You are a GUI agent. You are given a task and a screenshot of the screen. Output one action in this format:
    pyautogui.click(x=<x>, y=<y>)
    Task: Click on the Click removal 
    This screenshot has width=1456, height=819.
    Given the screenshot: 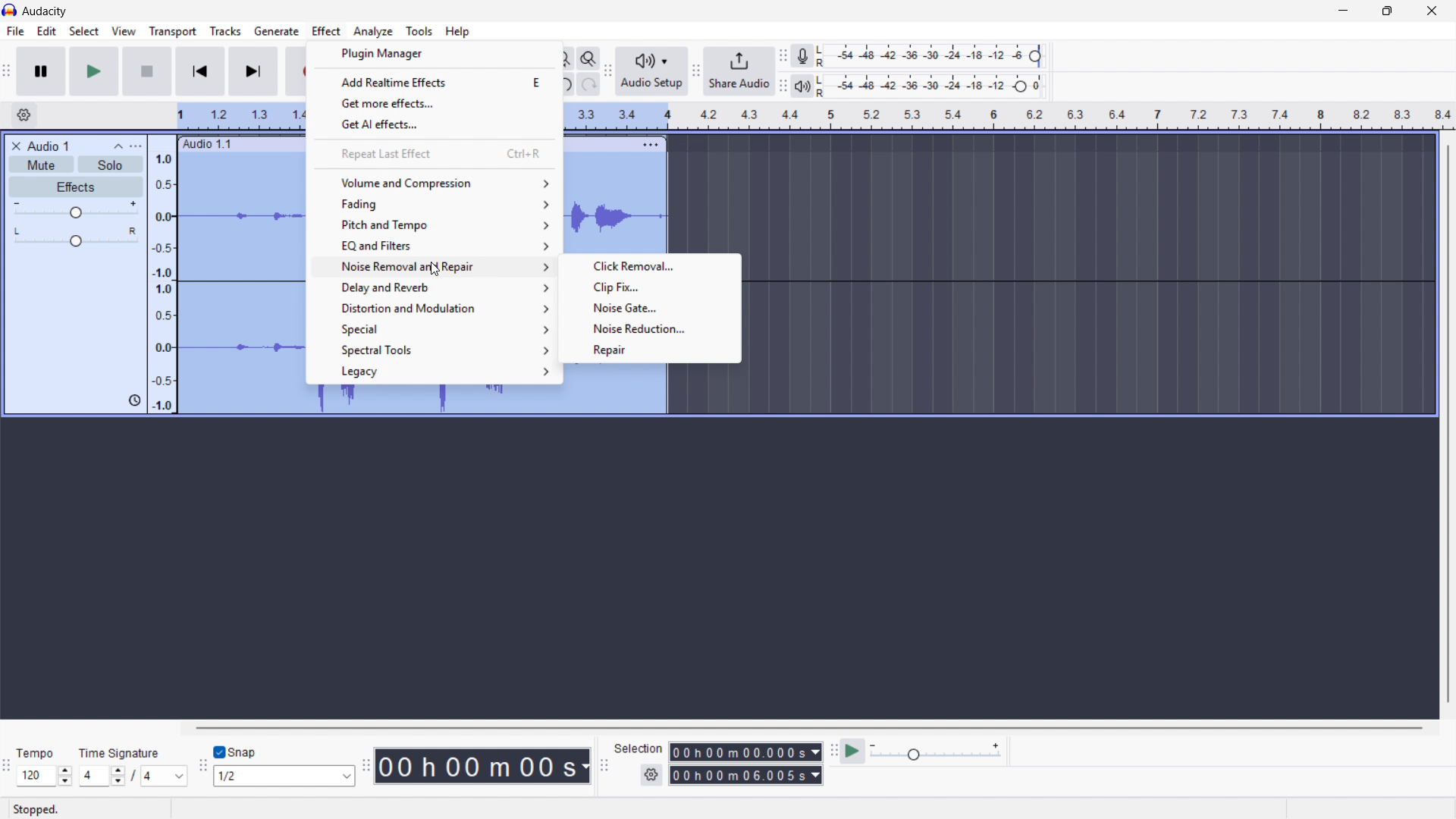 What is the action you would take?
    pyautogui.click(x=648, y=265)
    